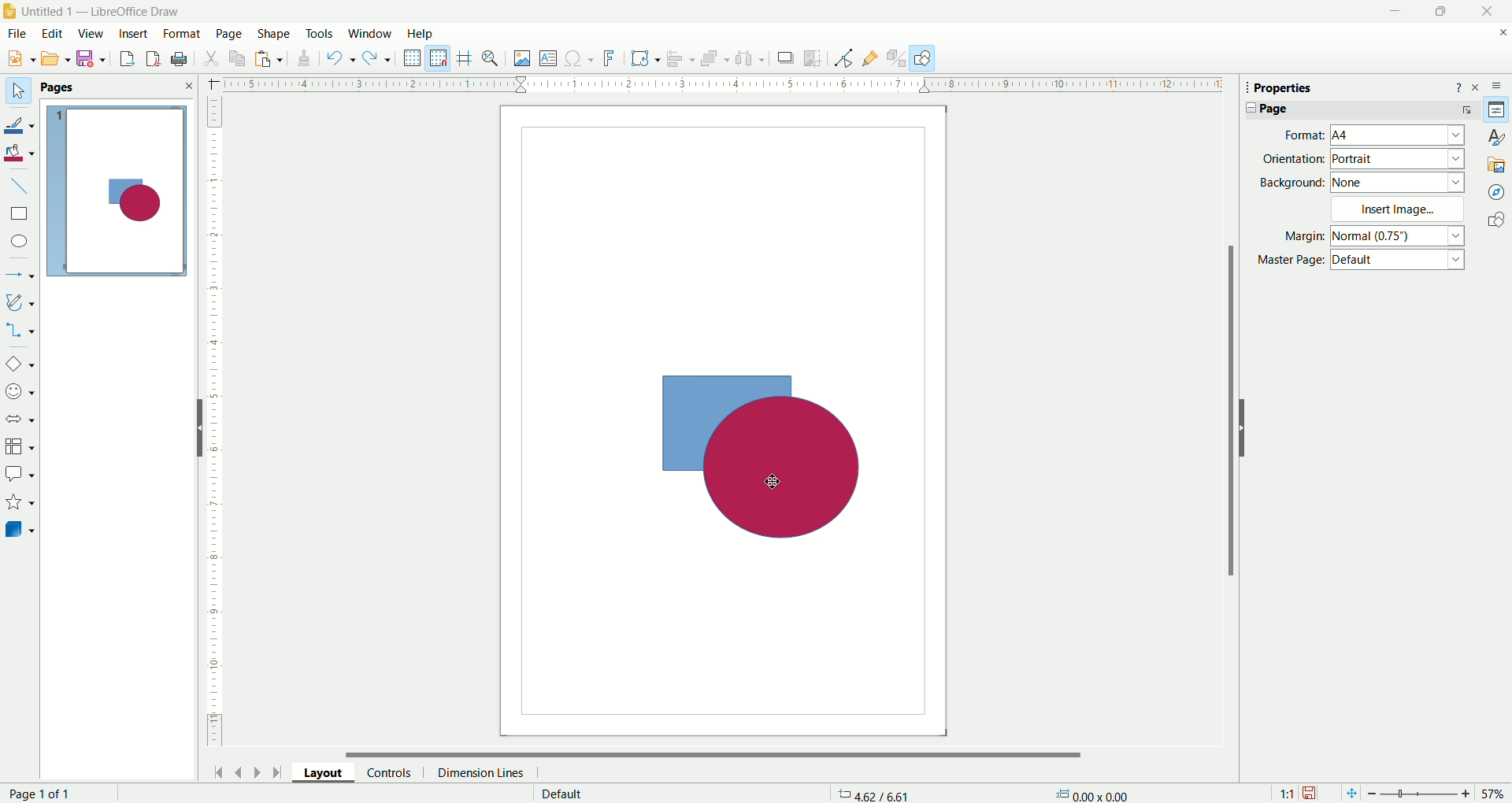 The height and width of the screenshot is (803, 1512). Describe the element at coordinates (717, 86) in the screenshot. I see `horizontal ruler` at that location.